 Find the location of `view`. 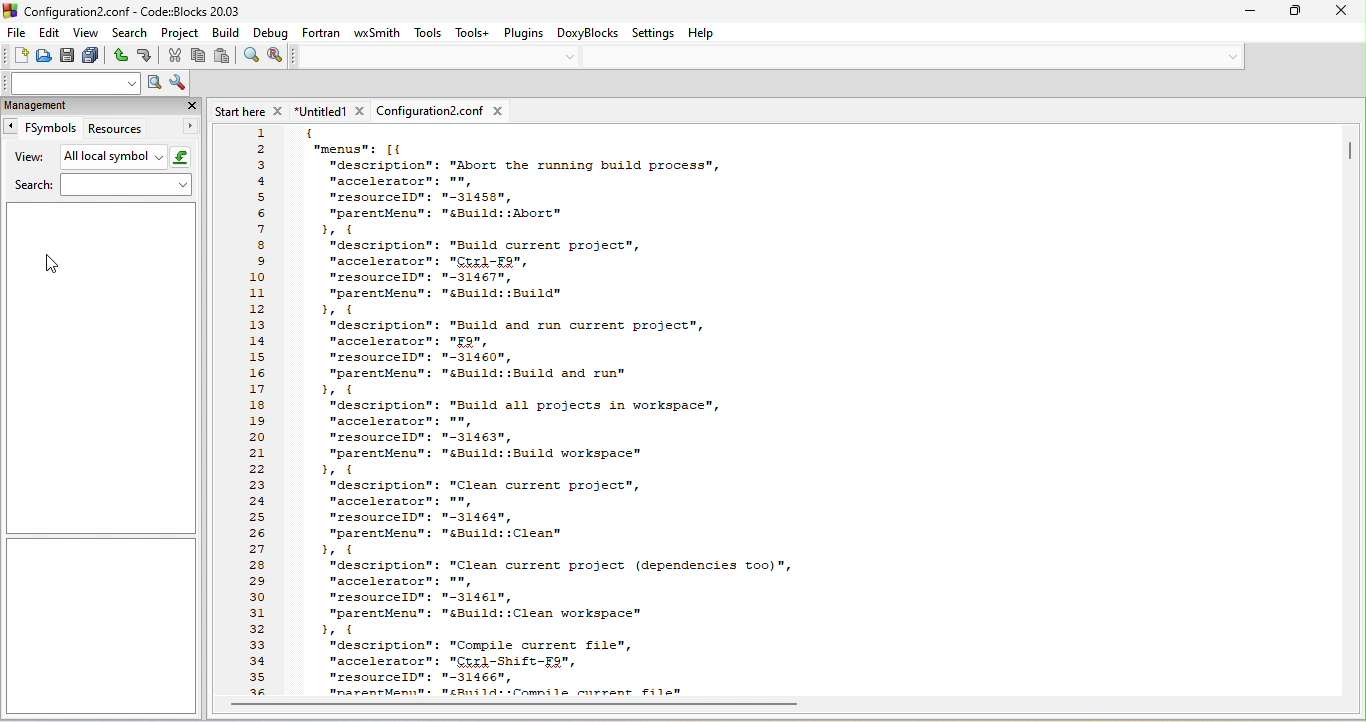

view is located at coordinates (89, 35).